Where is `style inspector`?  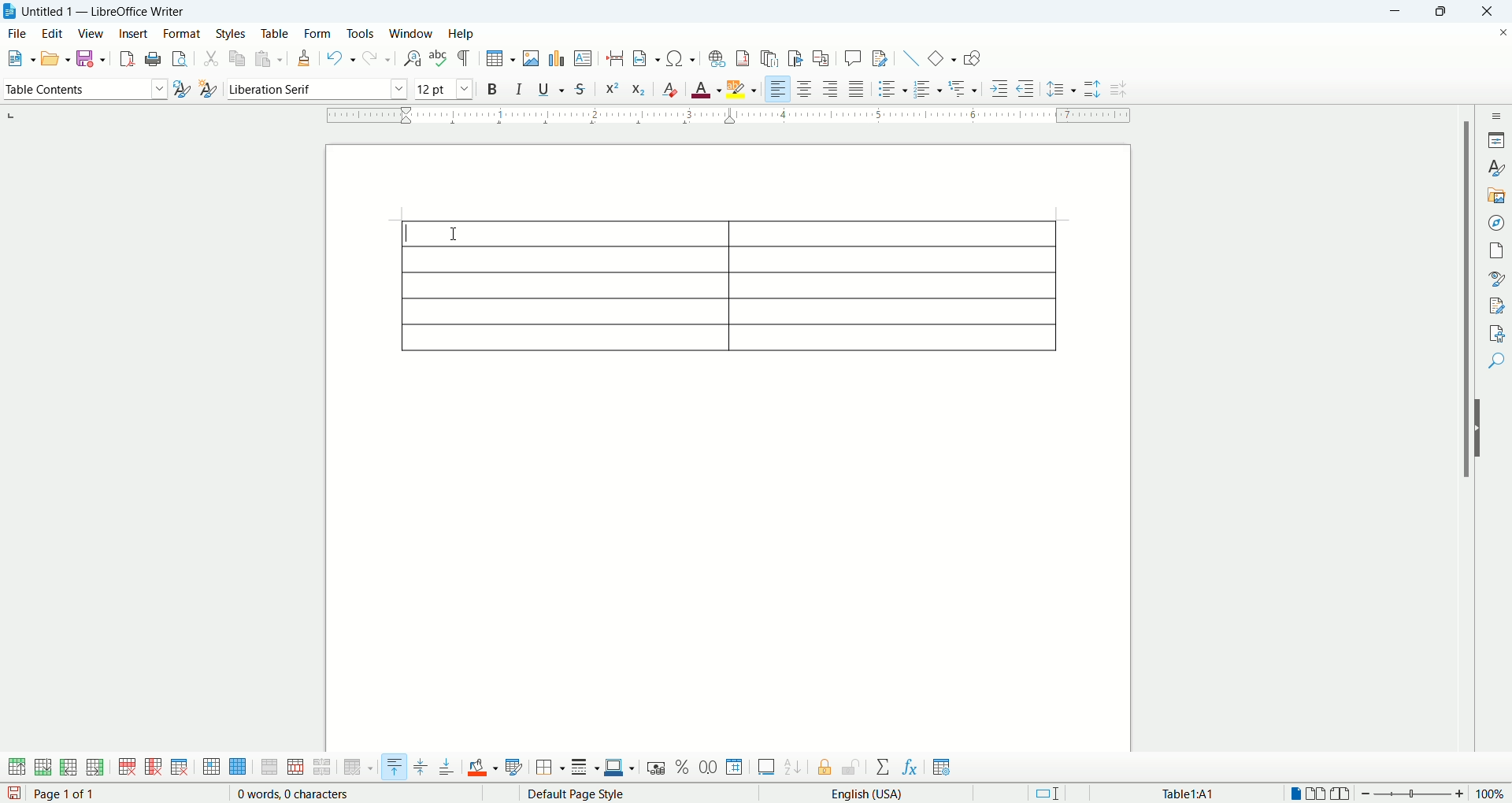 style inspector is located at coordinates (1496, 278).